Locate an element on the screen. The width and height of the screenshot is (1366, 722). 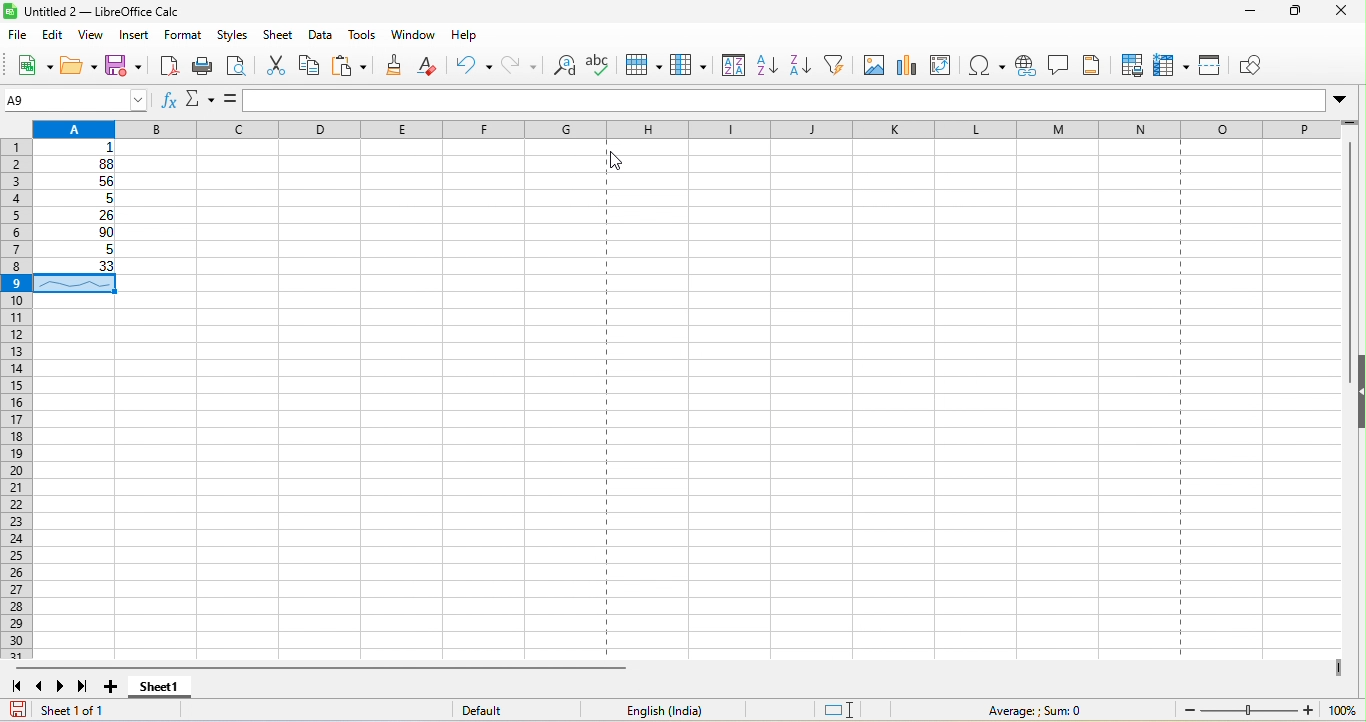
drag to view next columns is located at coordinates (1339, 668).